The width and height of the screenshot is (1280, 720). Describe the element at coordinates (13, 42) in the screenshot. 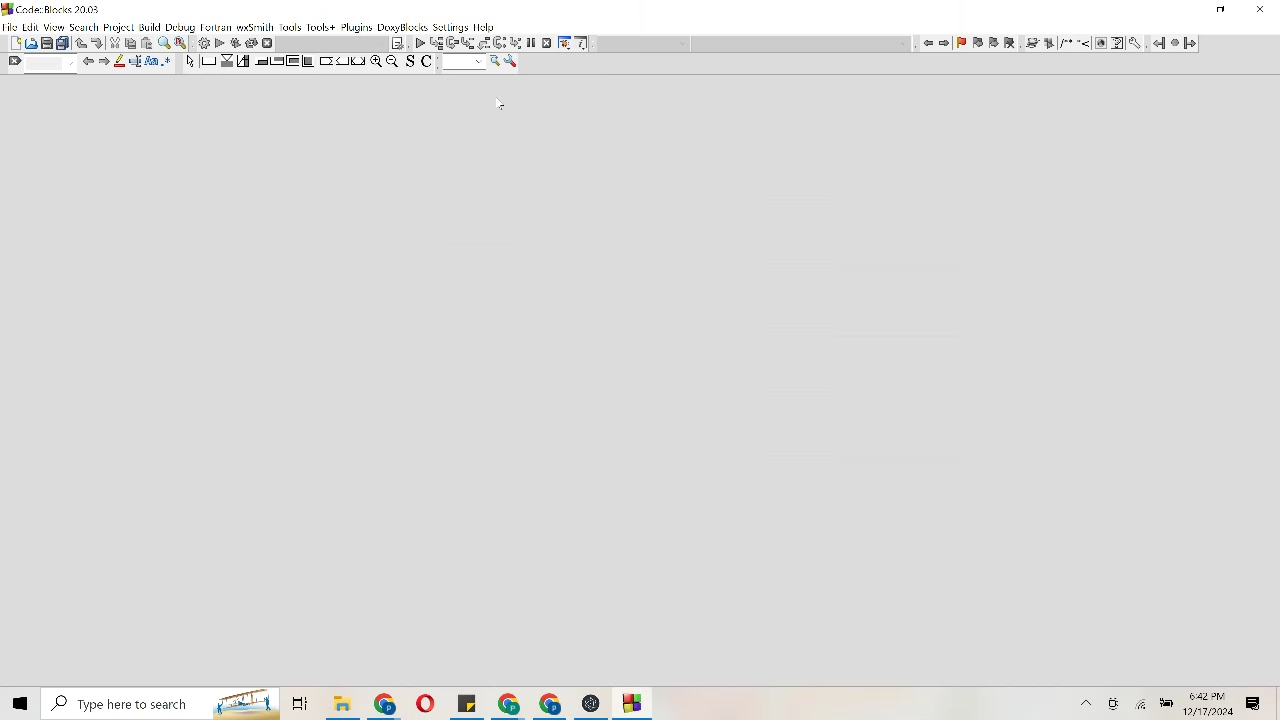

I see `Document` at that location.